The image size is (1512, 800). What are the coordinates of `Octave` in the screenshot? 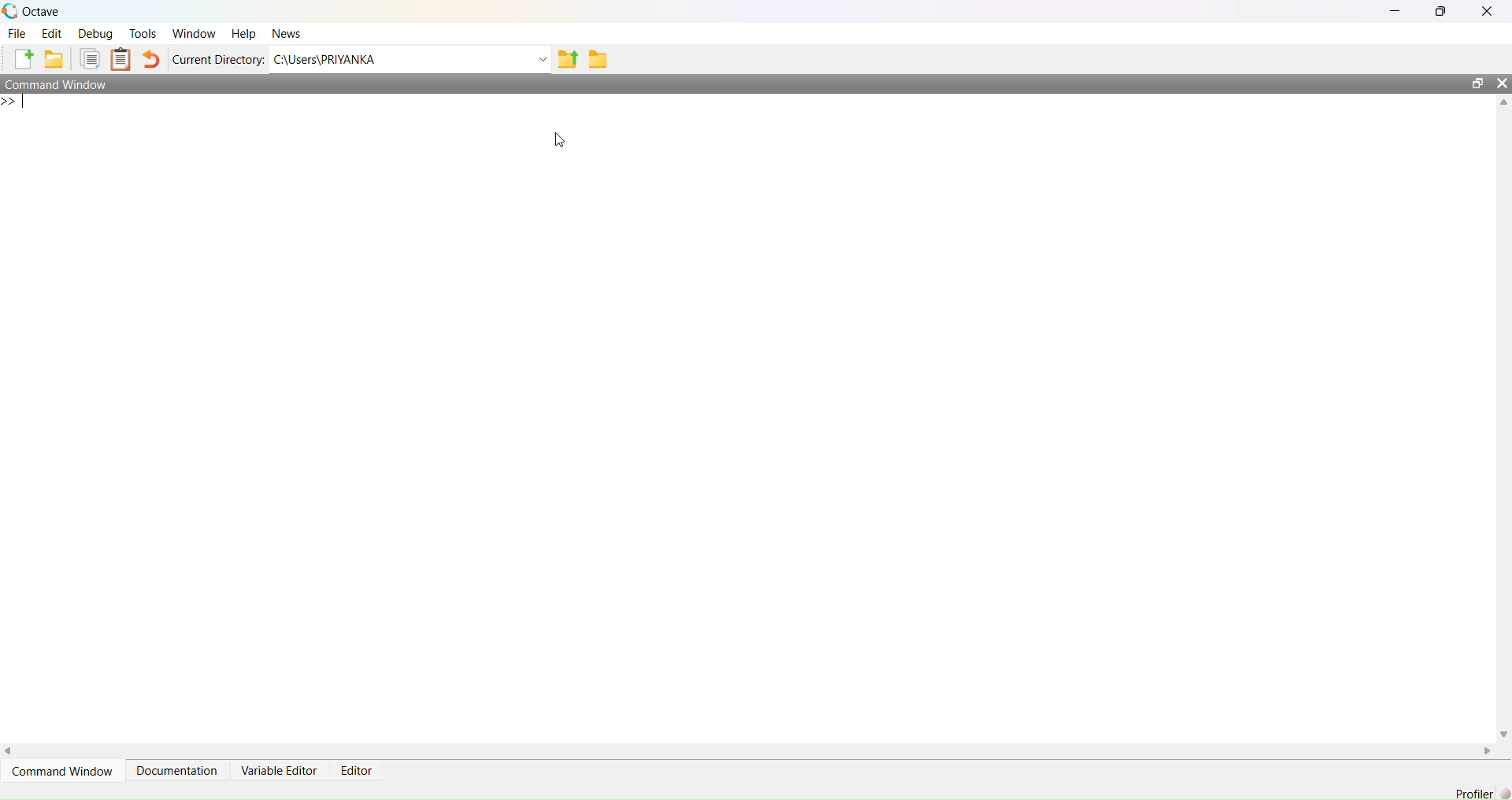 It's located at (41, 12).